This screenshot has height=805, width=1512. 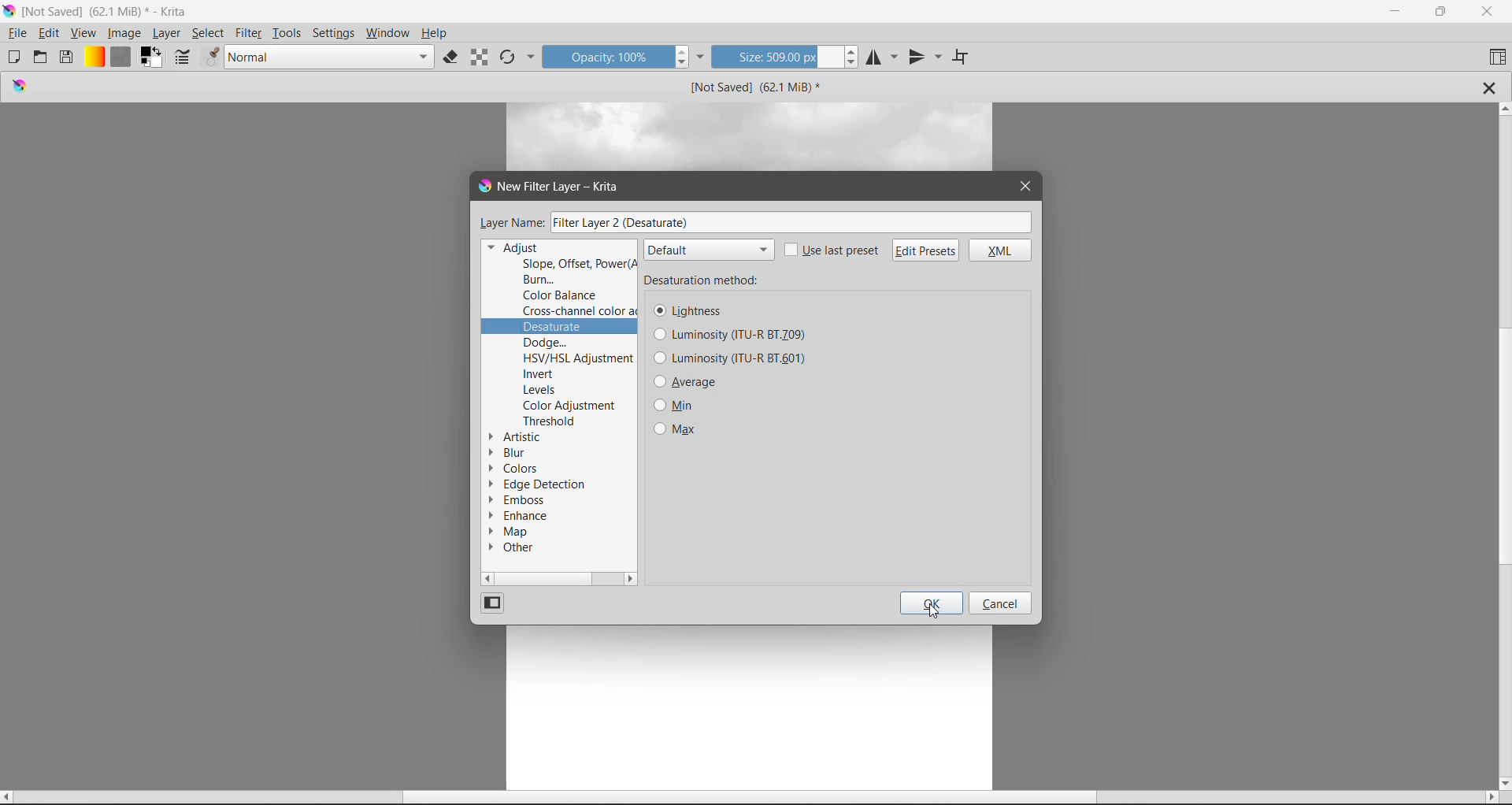 What do you see at coordinates (554, 421) in the screenshot?
I see `Threshold` at bounding box center [554, 421].